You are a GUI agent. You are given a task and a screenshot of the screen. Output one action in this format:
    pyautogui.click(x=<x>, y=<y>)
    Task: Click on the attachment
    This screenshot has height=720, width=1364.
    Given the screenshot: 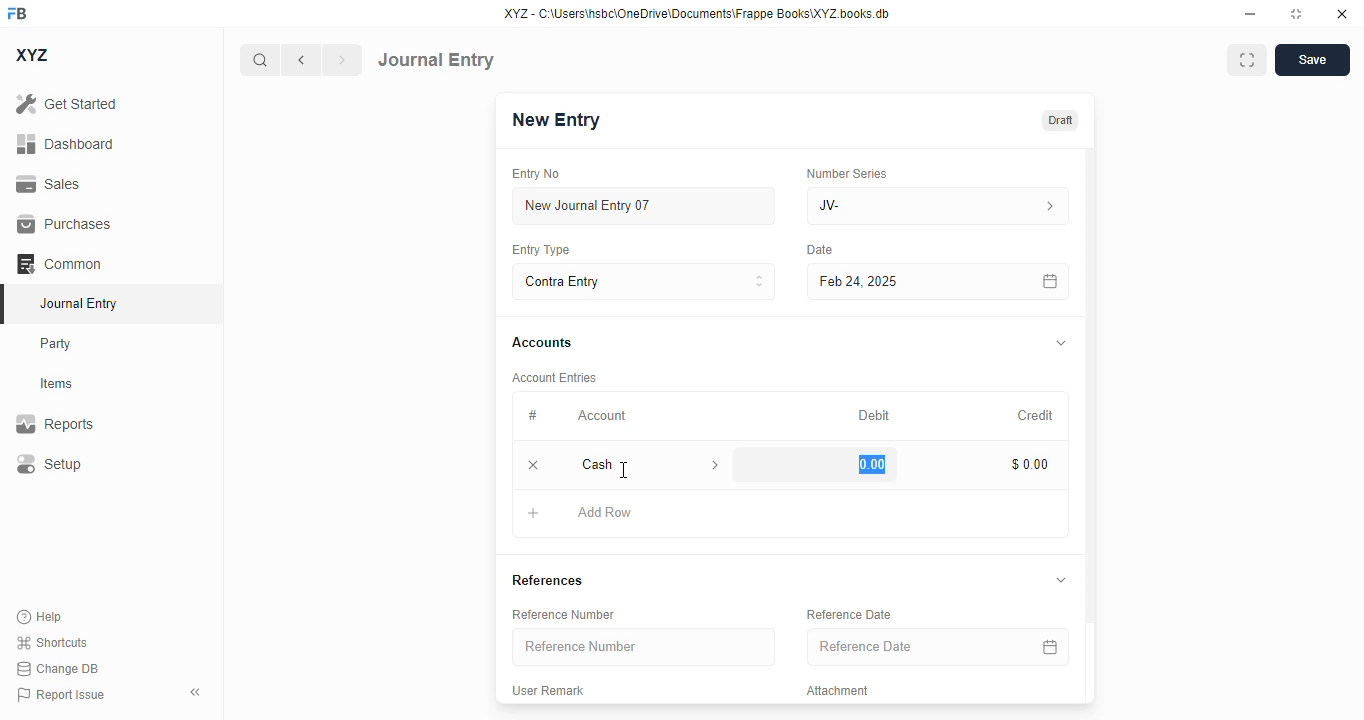 What is the action you would take?
    pyautogui.click(x=840, y=691)
    